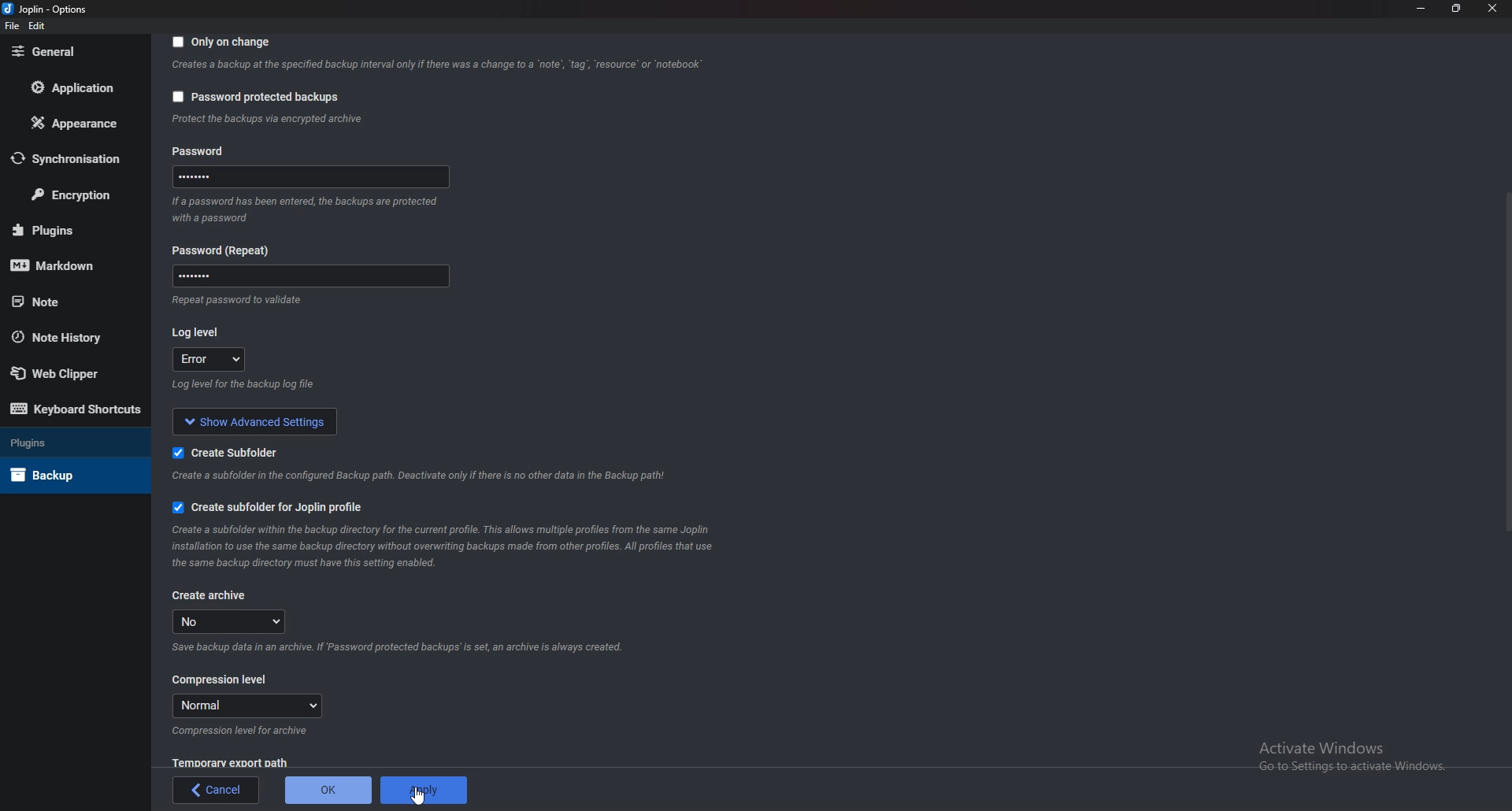 The image size is (1512, 811). Describe the element at coordinates (1507, 361) in the screenshot. I see `Scroll bar` at that location.